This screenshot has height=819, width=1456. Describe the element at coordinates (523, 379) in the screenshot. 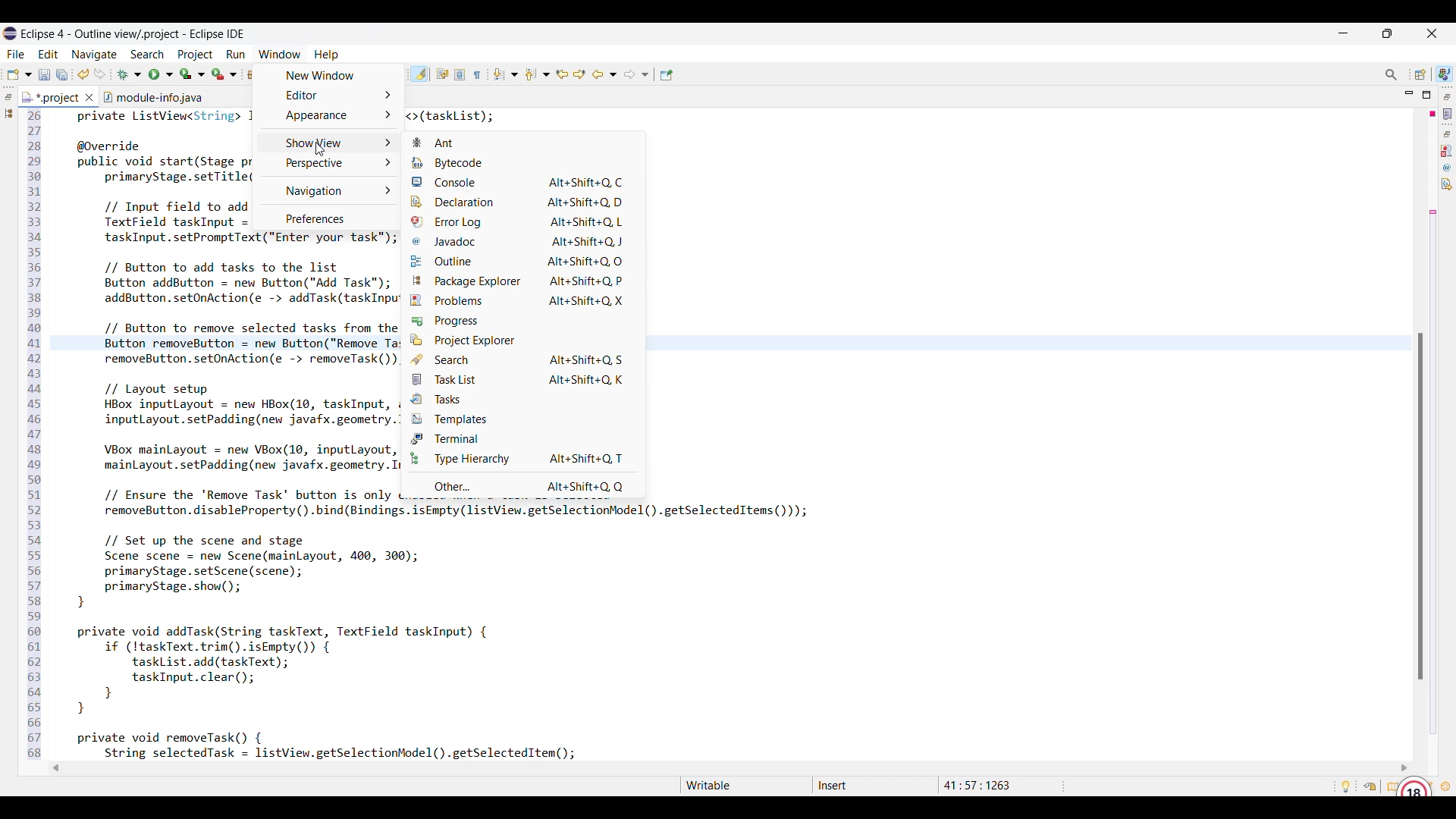

I see `Task list` at that location.